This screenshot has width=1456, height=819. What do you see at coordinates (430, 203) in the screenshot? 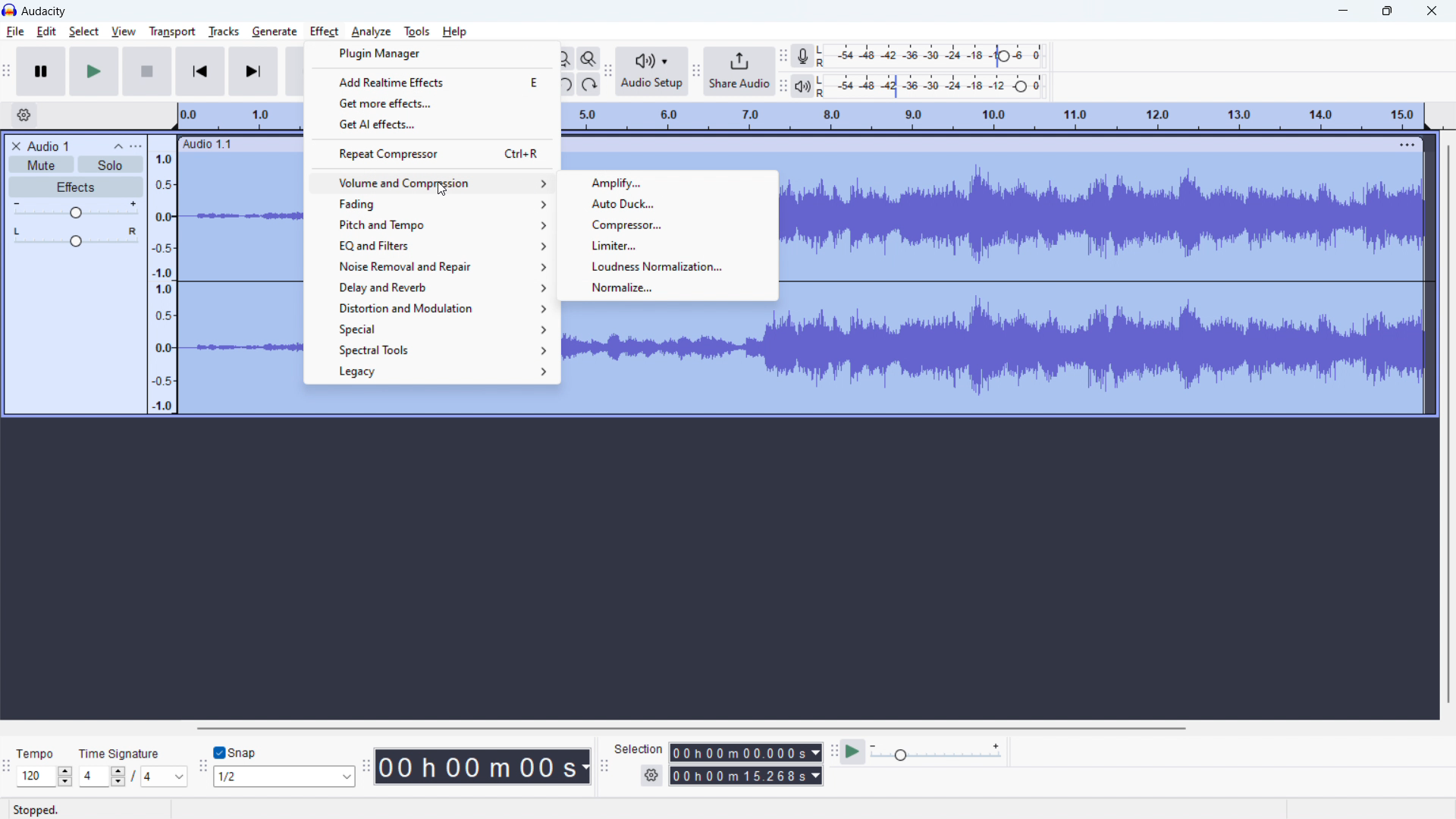
I see `fading` at bounding box center [430, 203].